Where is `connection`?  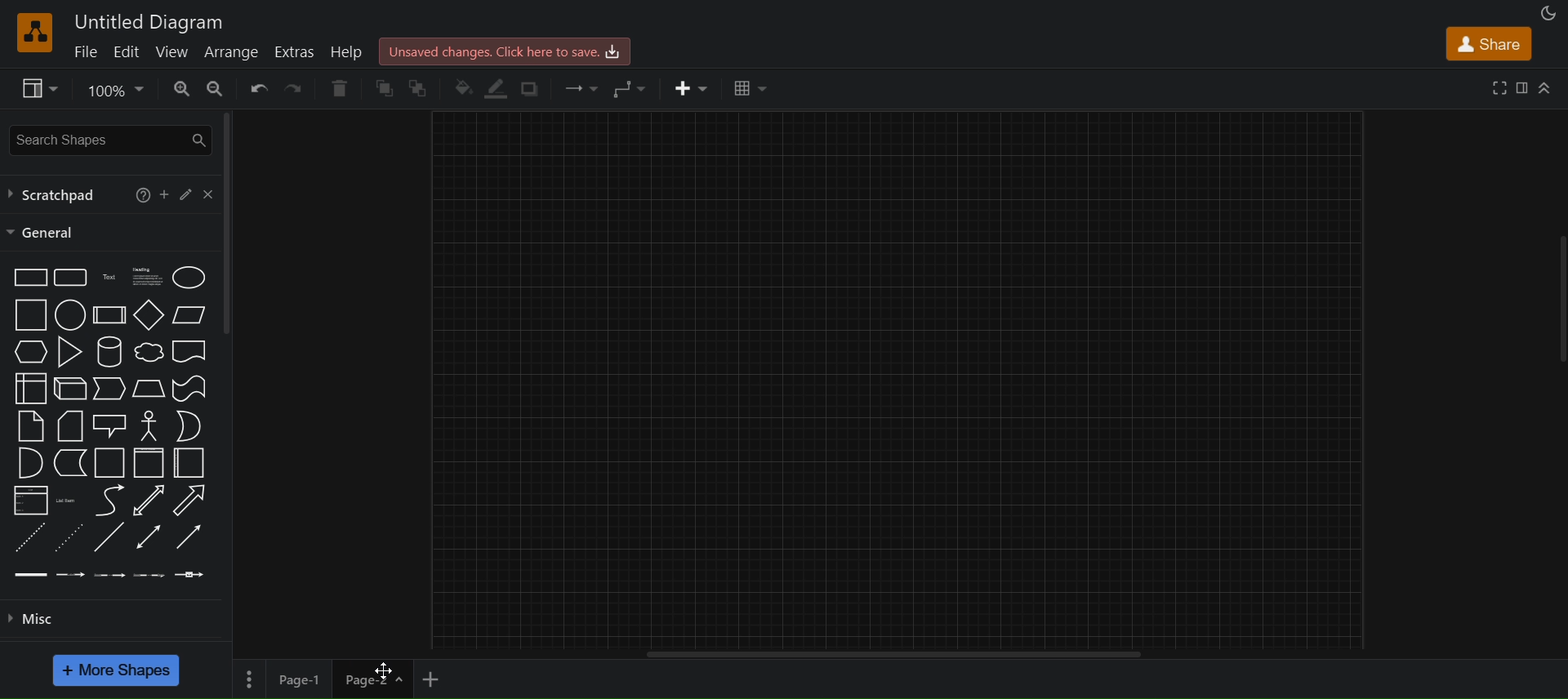 connection is located at coordinates (581, 87).